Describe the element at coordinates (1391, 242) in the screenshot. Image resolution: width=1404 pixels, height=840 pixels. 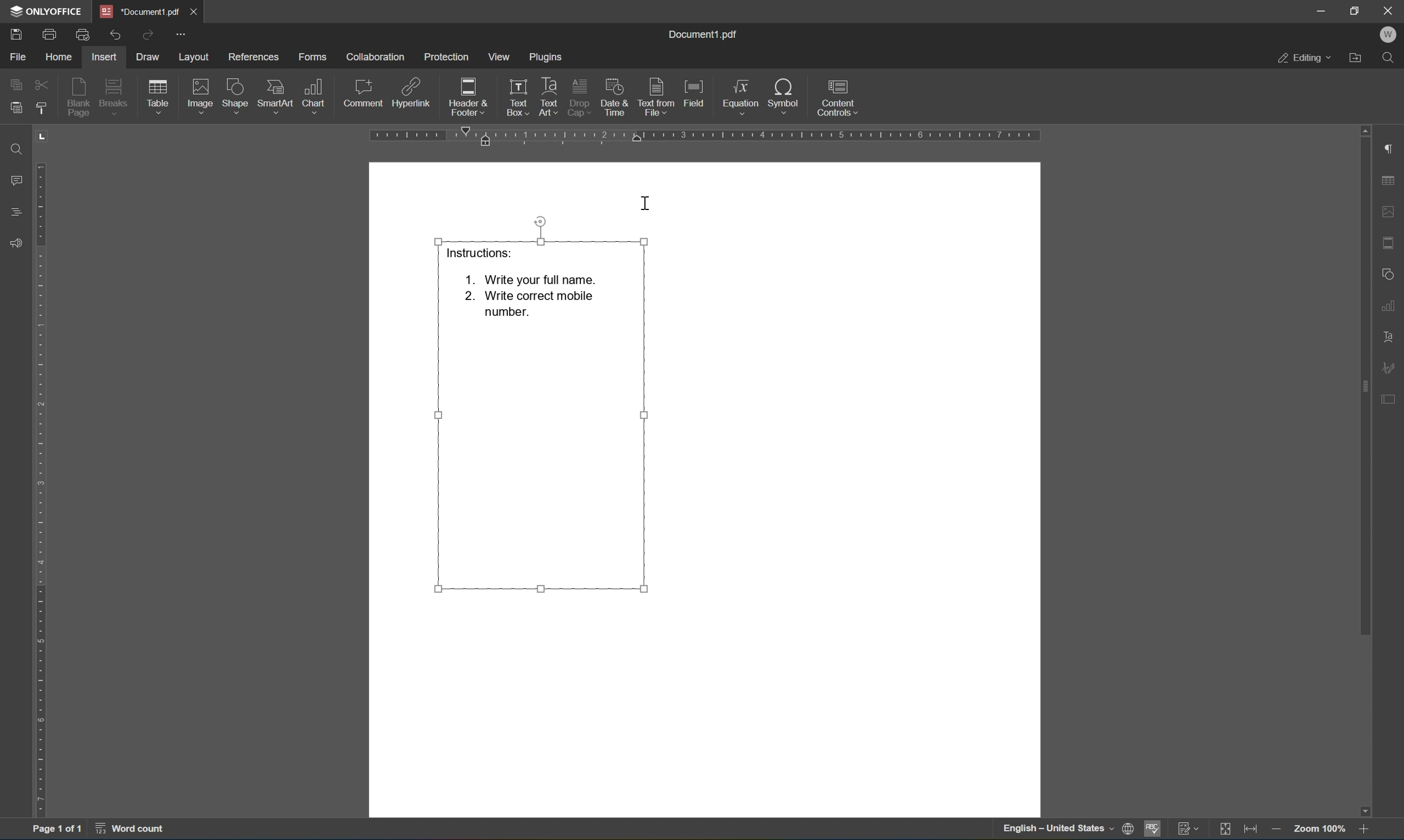
I see `Header and footer settings` at that location.